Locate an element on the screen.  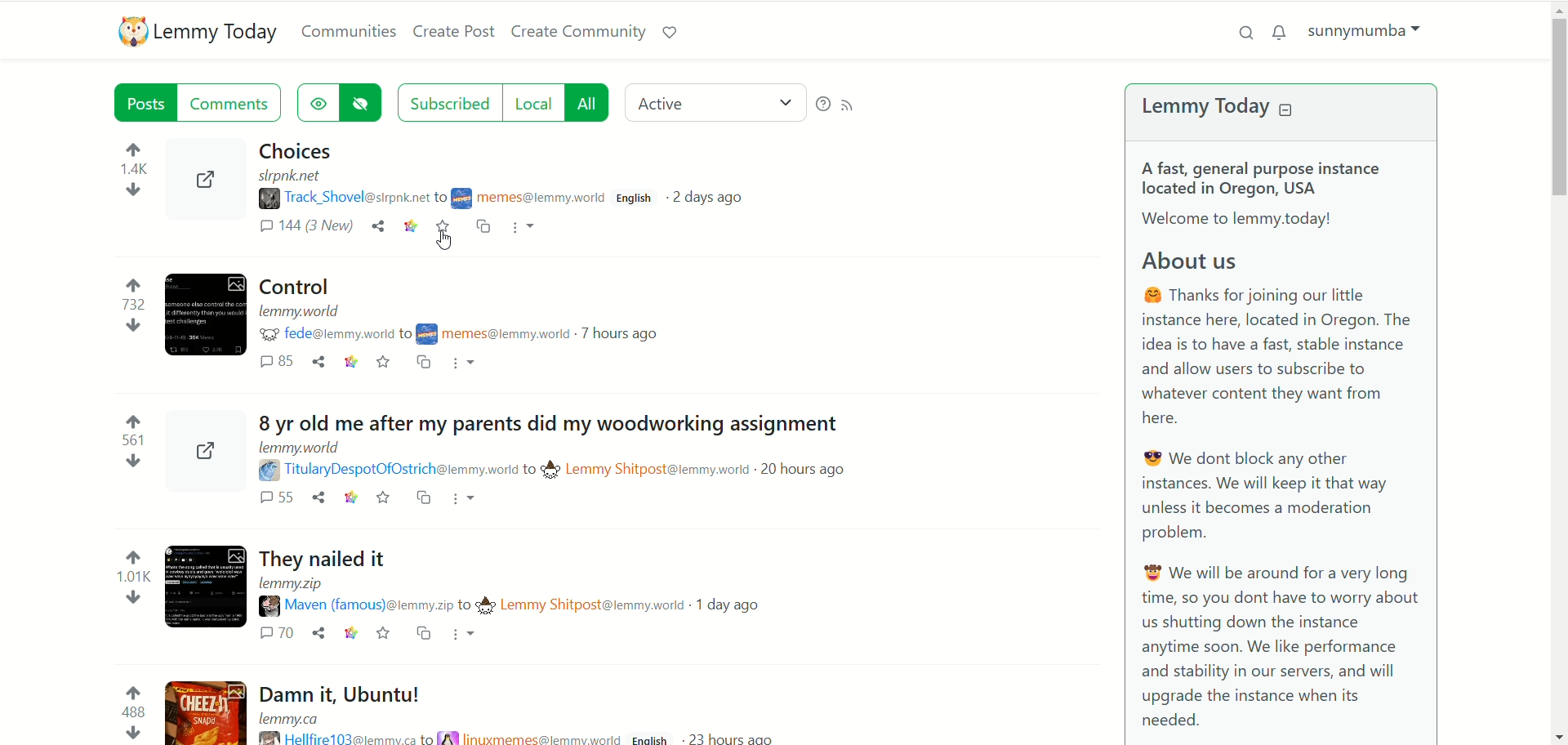
A brief about Lemmy Today is located at coordinates (1278, 442).